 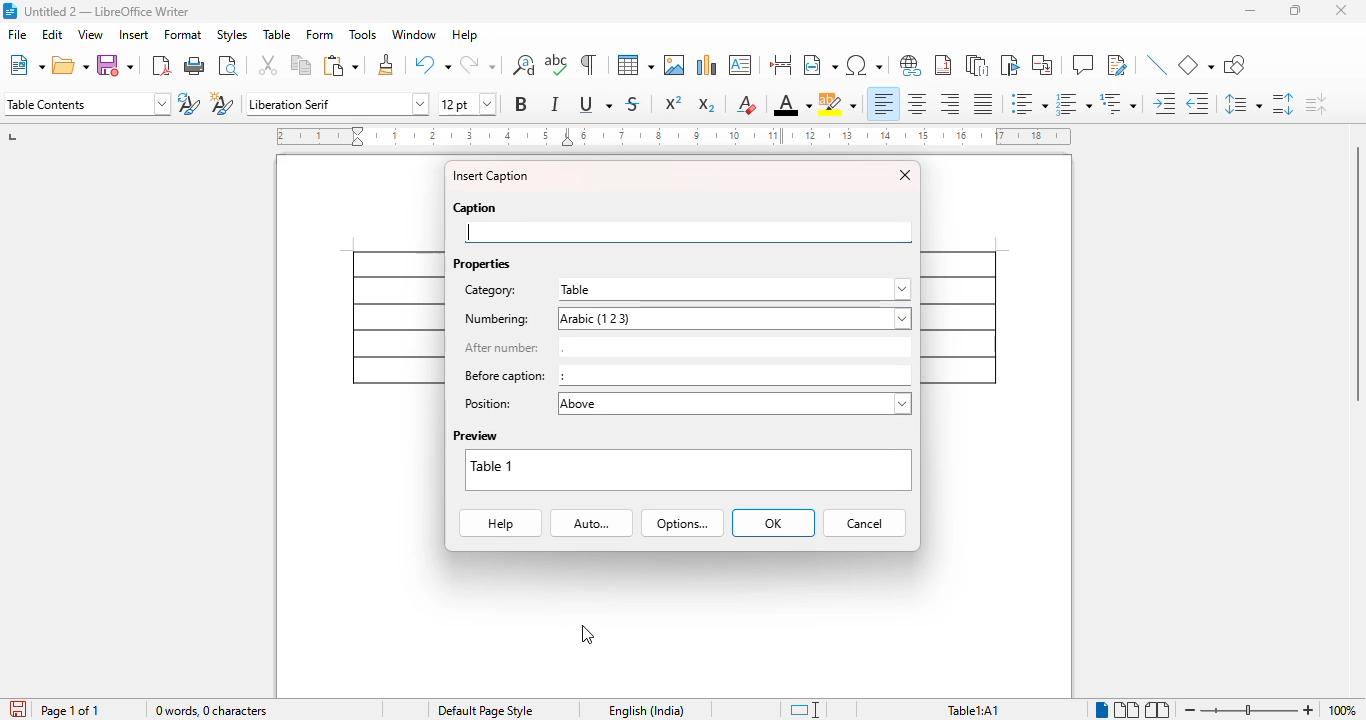 What do you see at coordinates (1164, 103) in the screenshot?
I see `increase indent` at bounding box center [1164, 103].